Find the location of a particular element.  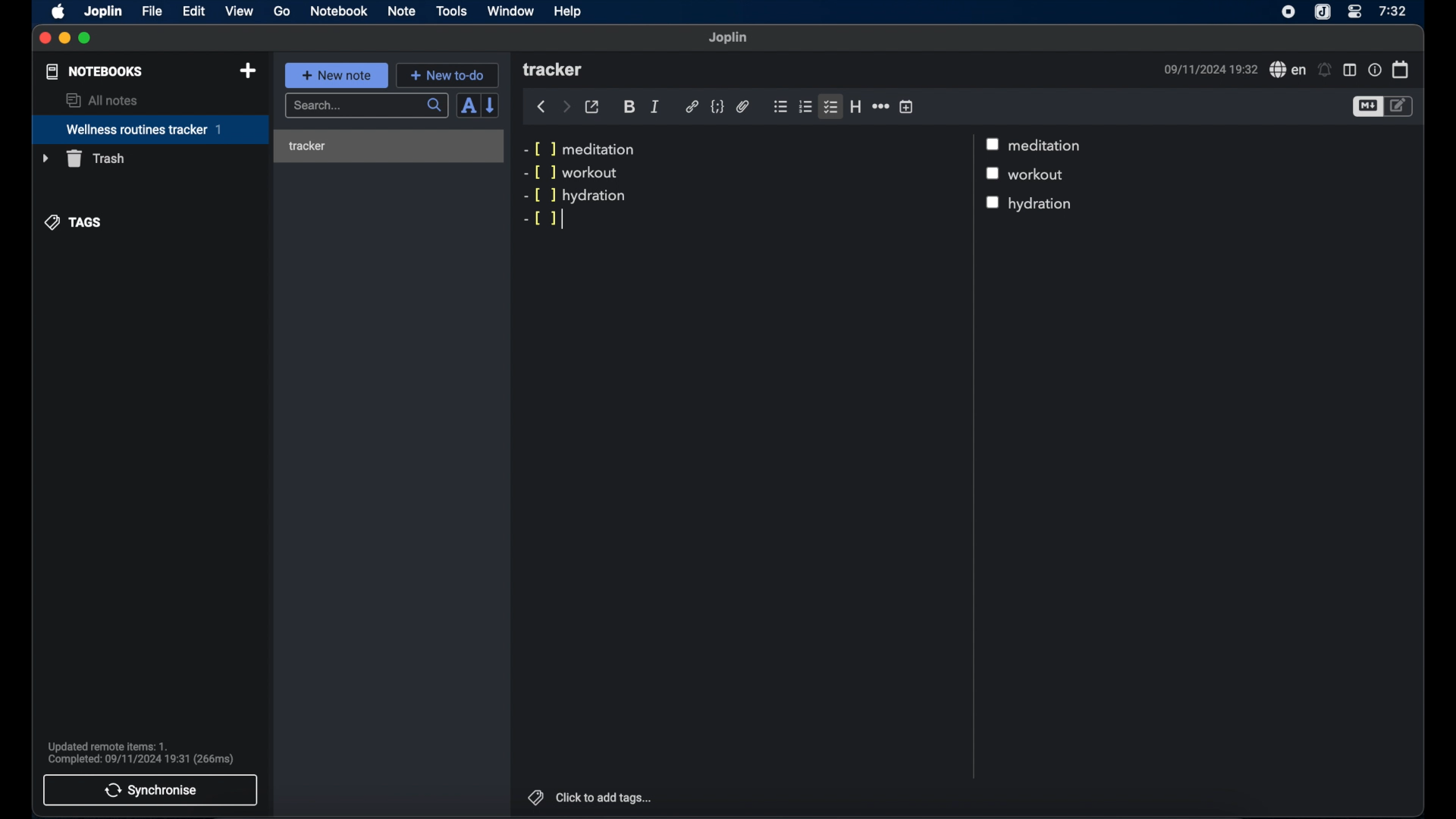

toggle sort order field is located at coordinates (468, 105).